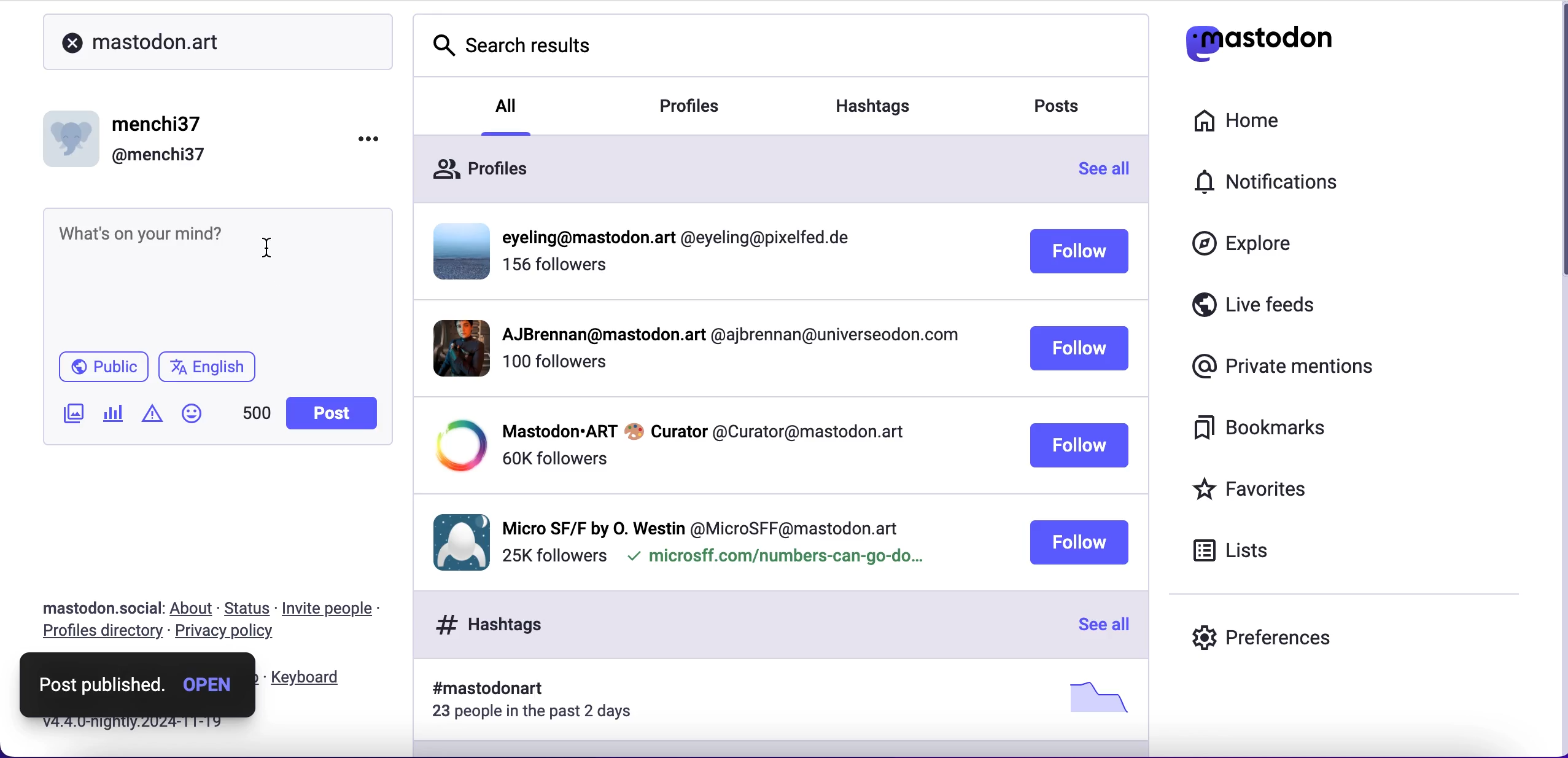  What do you see at coordinates (1278, 367) in the screenshot?
I see `private mentions` at bounding box center [1278, 367].